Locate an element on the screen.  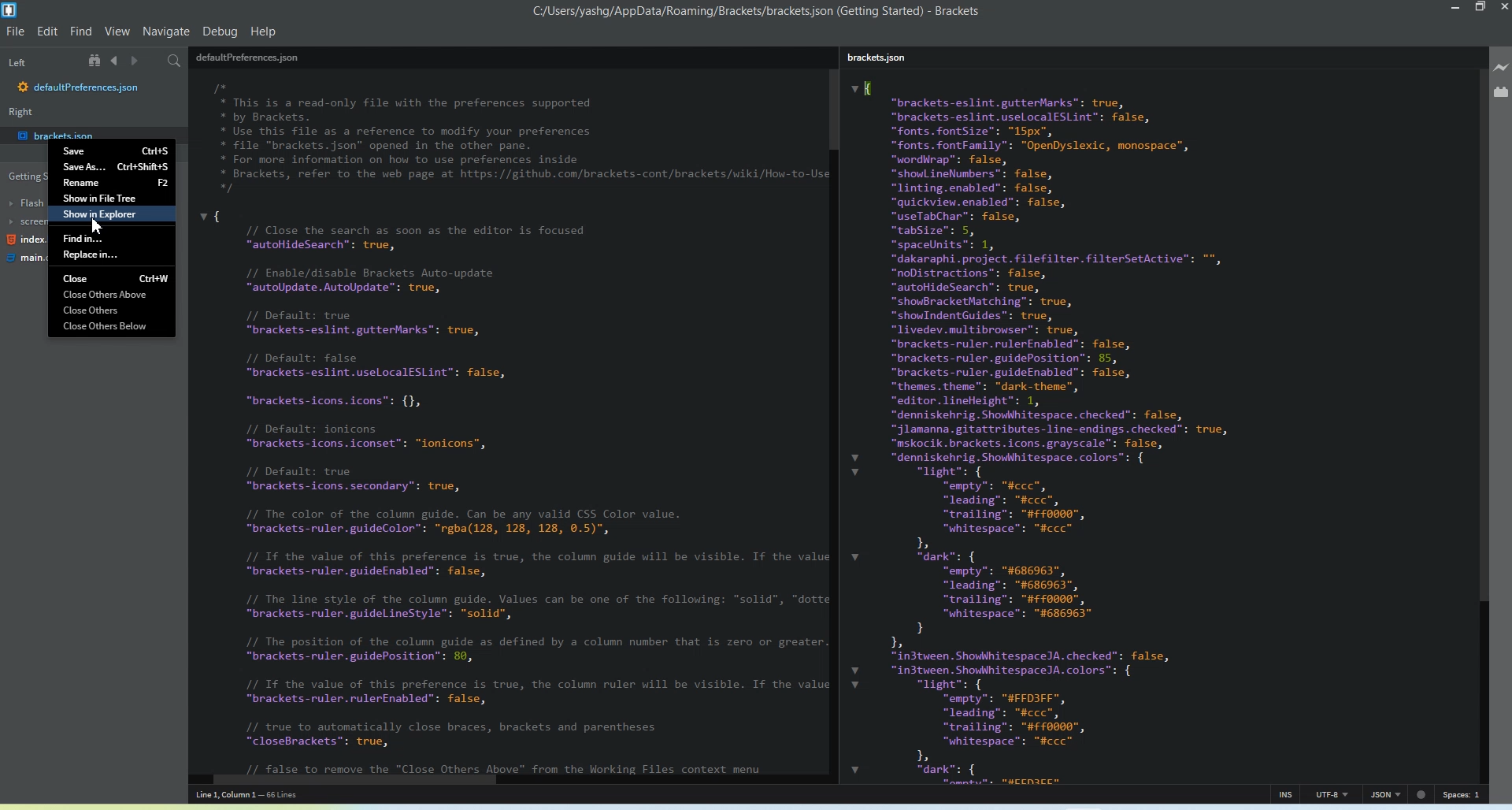
Horizontal Scroll bar is located at coordinates (505, 780).